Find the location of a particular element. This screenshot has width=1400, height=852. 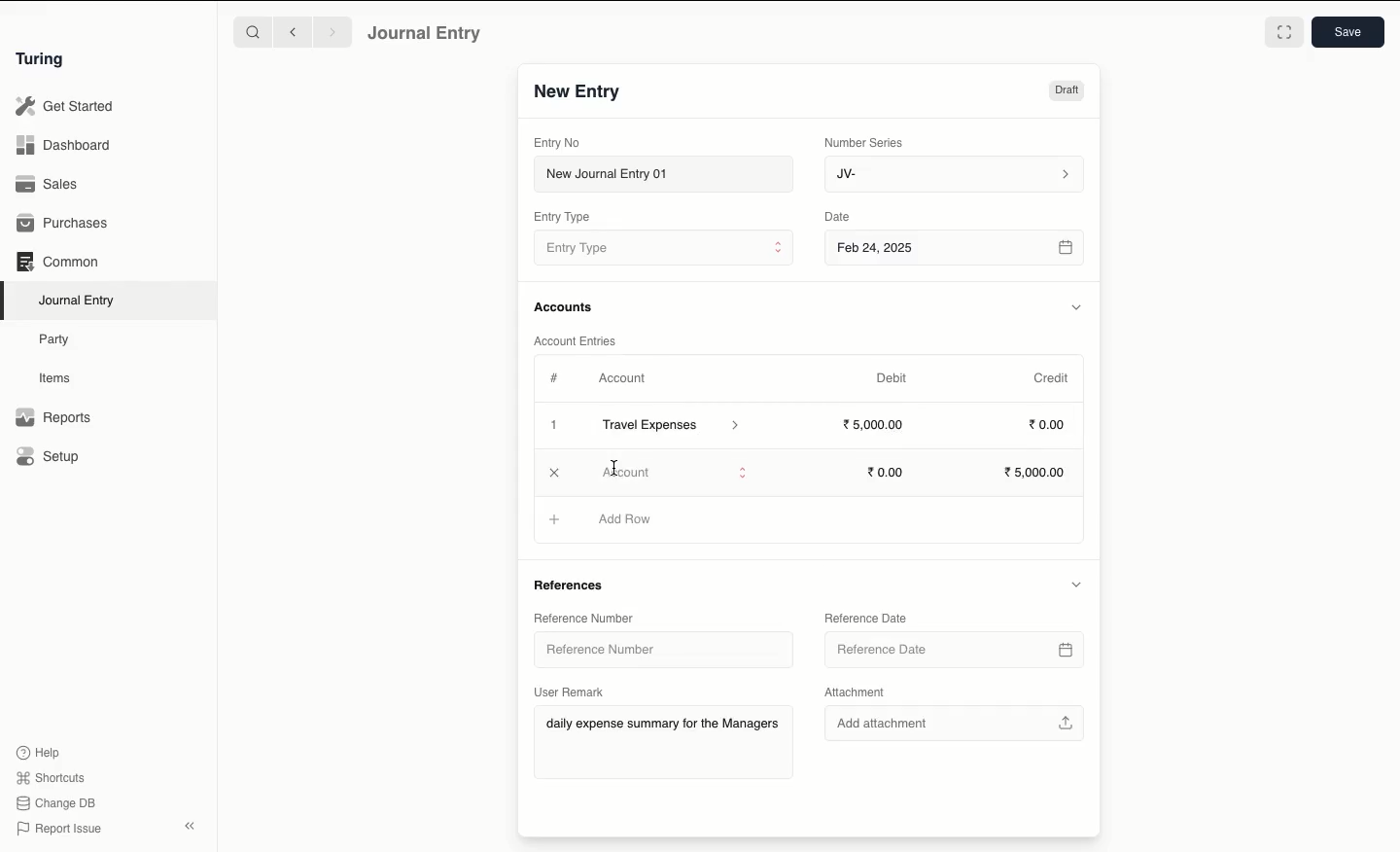

Account is located at coordinates (623, 378).